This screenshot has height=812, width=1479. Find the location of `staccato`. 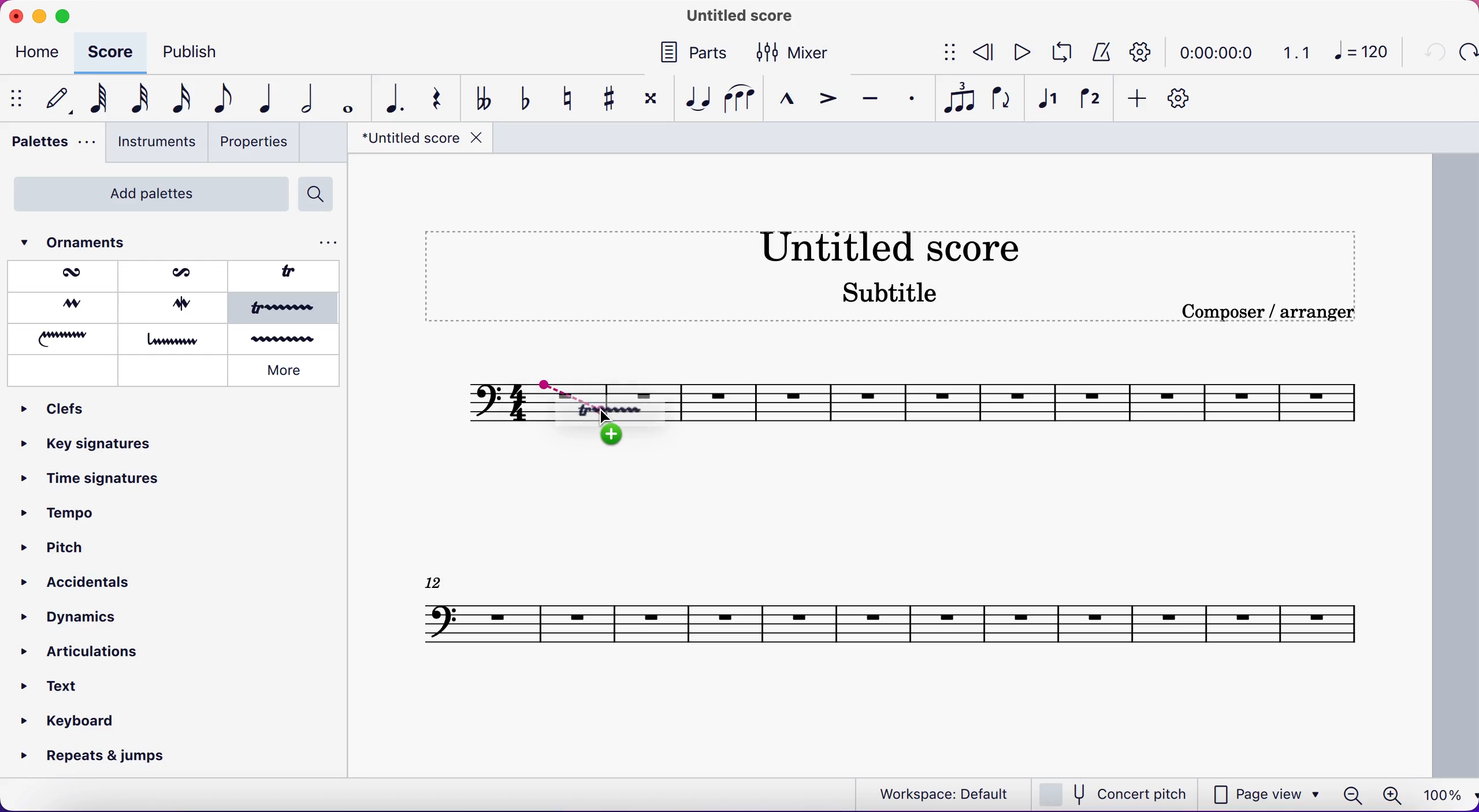

staccato is located at coordinates (909, 98).